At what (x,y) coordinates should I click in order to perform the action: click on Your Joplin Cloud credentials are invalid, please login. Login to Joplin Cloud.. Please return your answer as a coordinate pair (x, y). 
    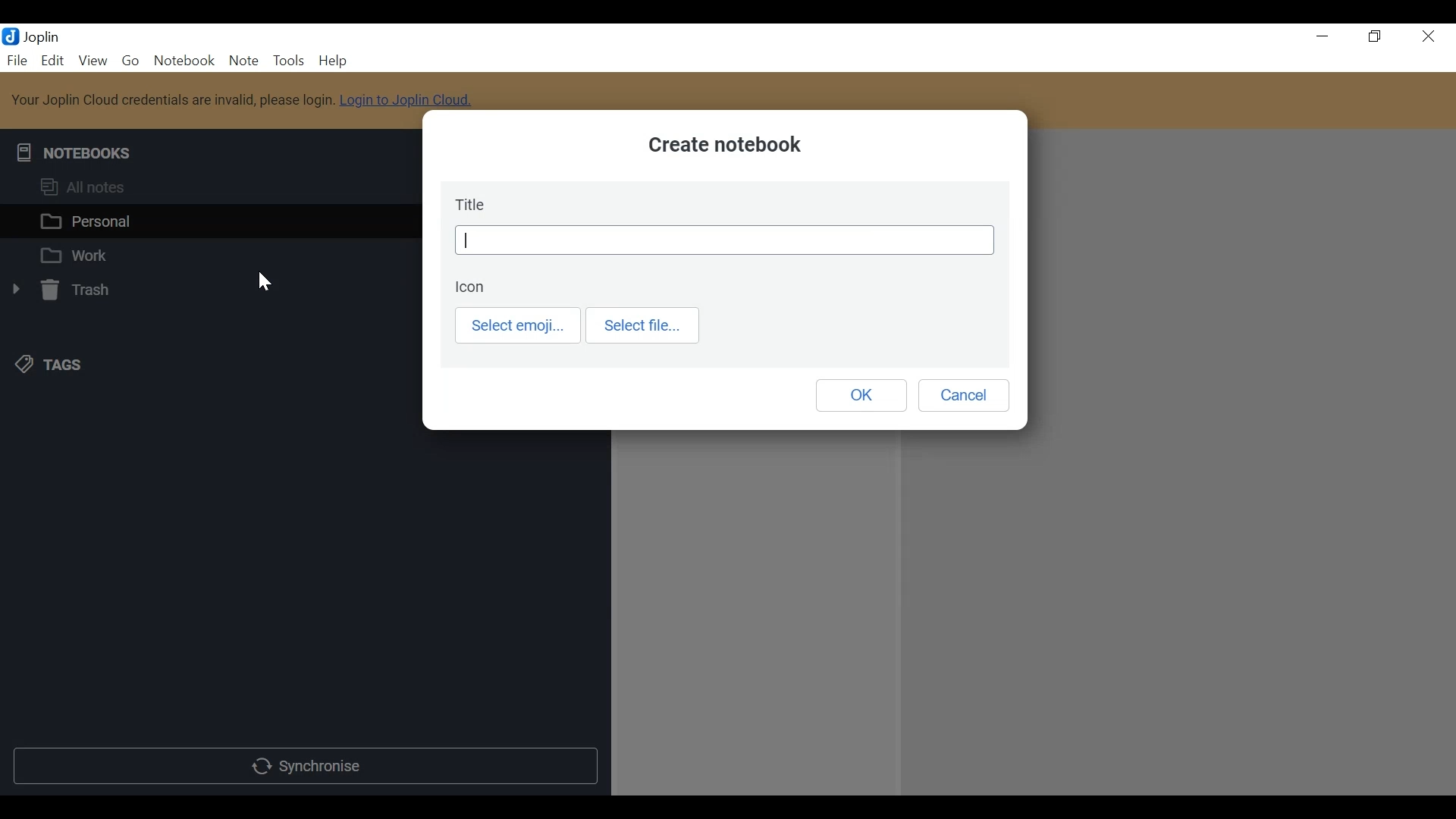
    Looking at the image, I should click on (253, 99).